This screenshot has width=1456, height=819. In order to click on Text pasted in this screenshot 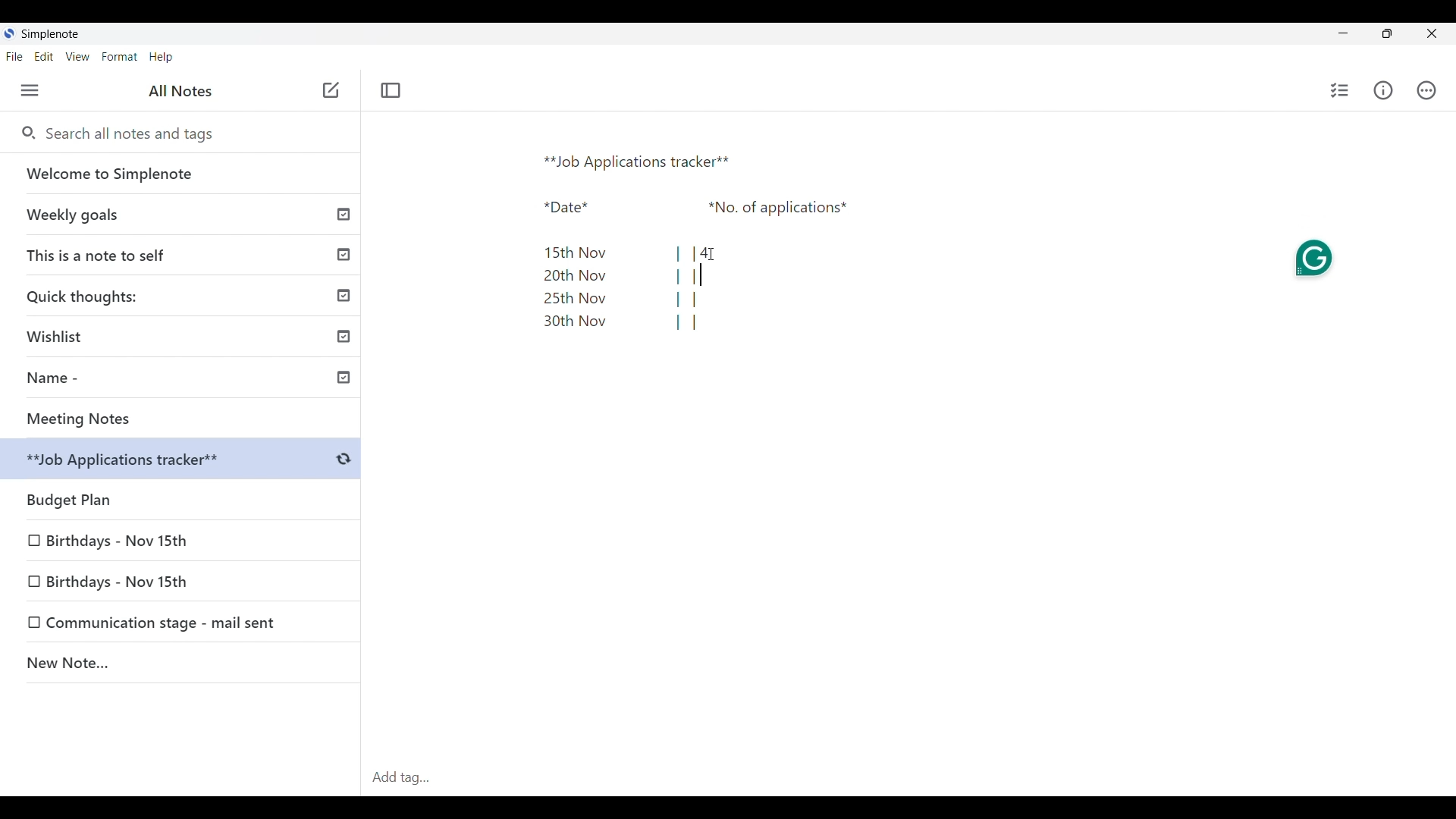, I will do `click(693, 246)`.